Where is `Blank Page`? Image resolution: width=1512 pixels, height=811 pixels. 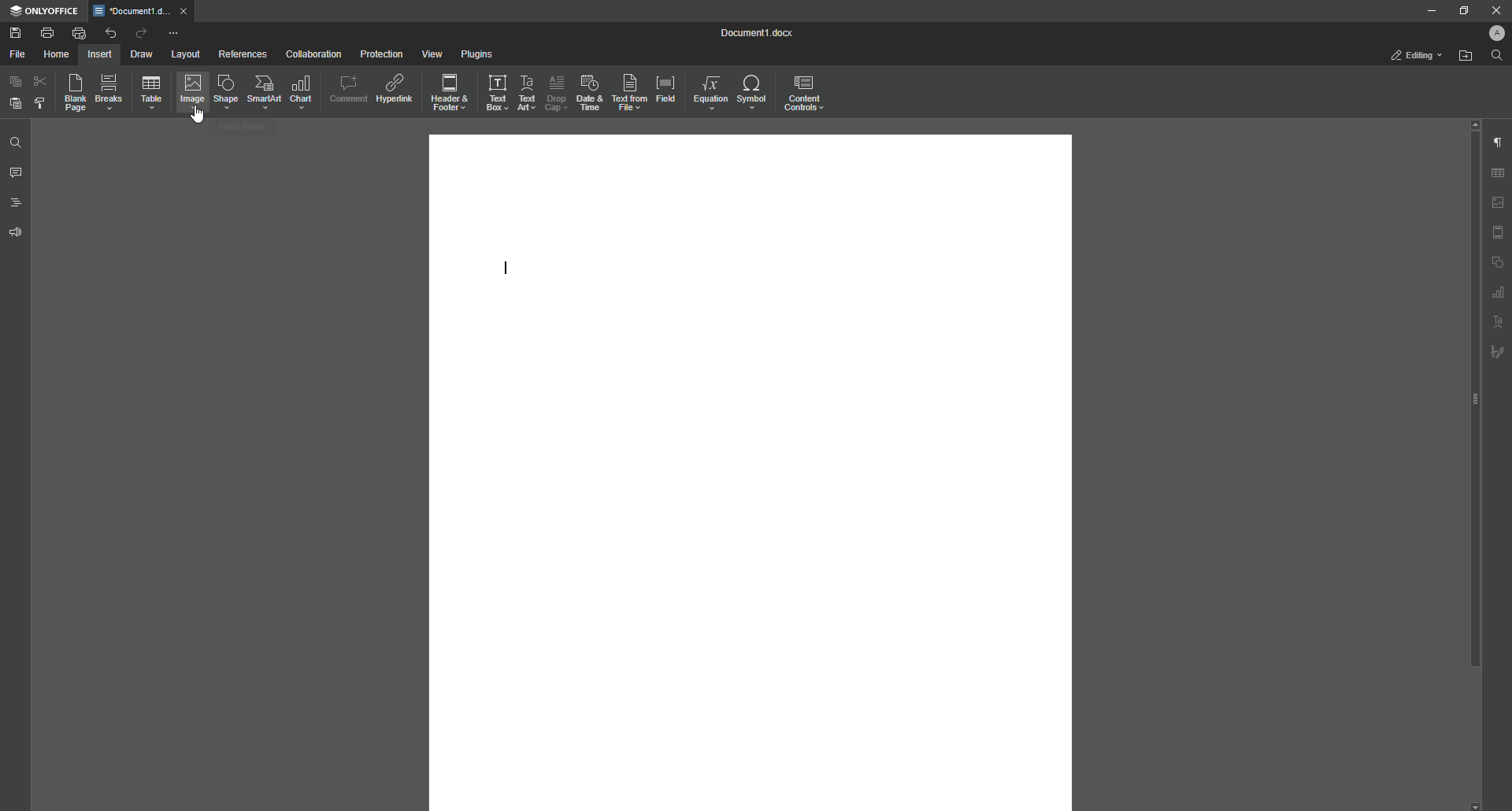
Blank Page is located at coordinates (76, 94).